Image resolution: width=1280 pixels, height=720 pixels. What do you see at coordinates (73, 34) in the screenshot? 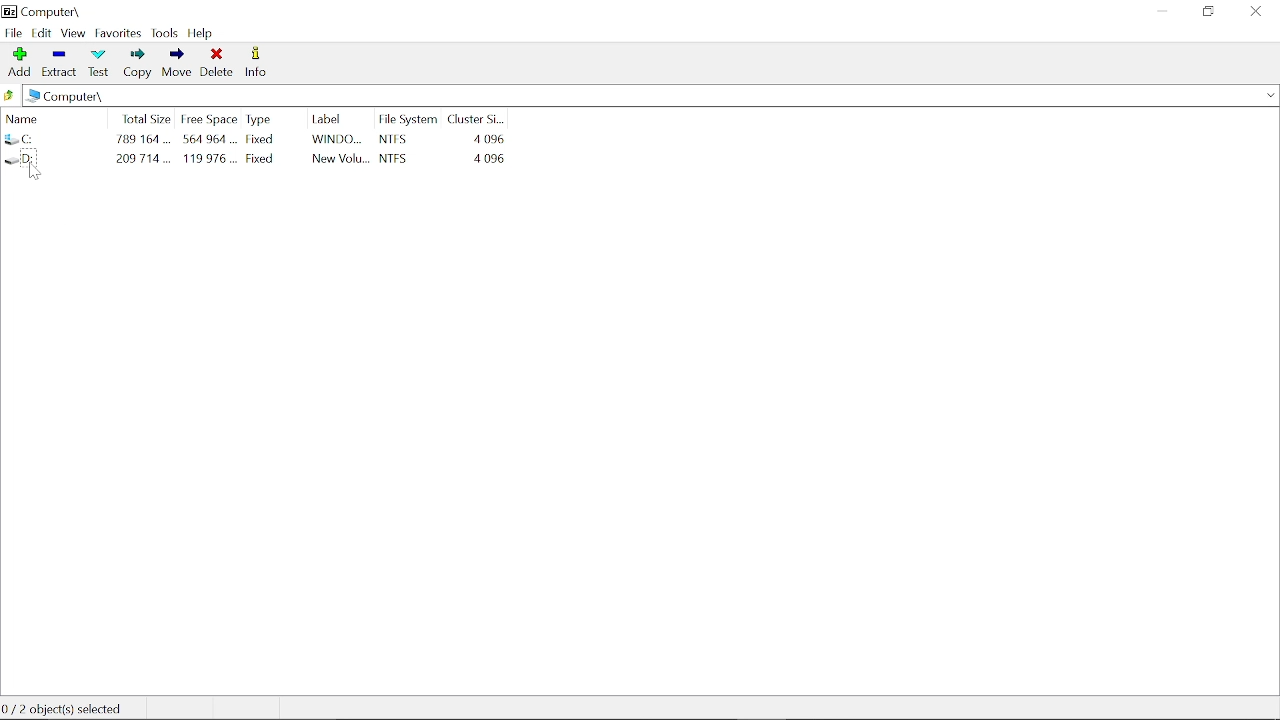
I see `view` at bounding box center [73, 34].